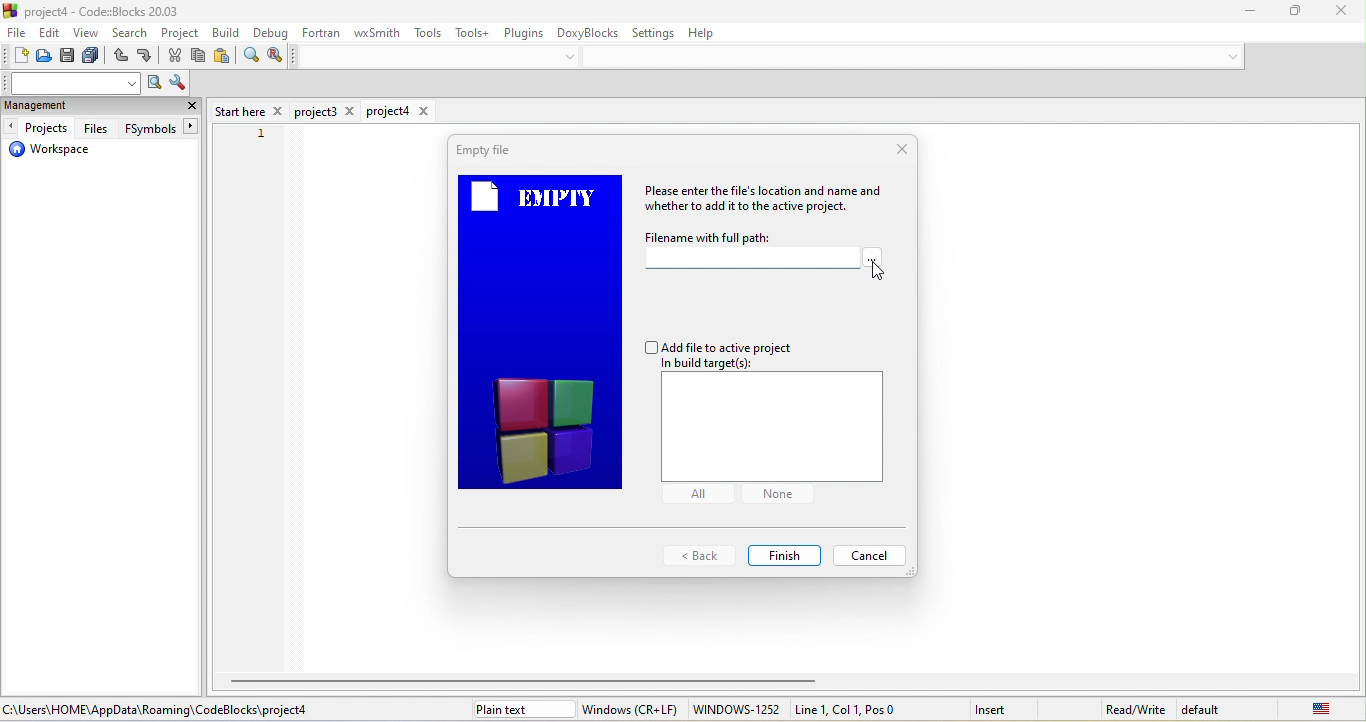 The width and height of the screenshot is (1366, 722). Describe the element at coordinates (521, 709) in the screenshot. I see `plain text` at that location.